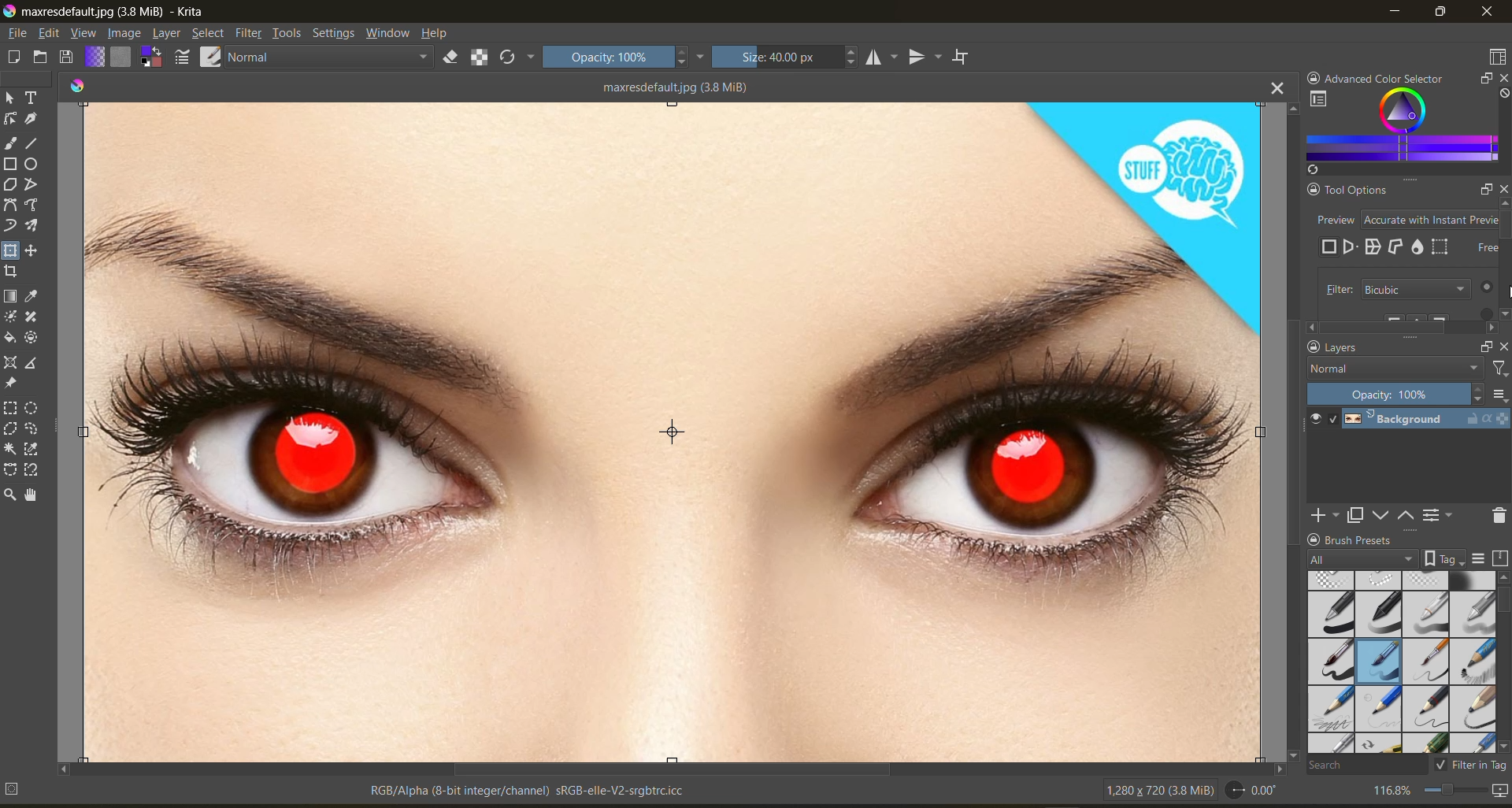 The image size is (1512, 808). Describe the element at coordinates (31, 317) in the screenshot. I see `tool` at that location.